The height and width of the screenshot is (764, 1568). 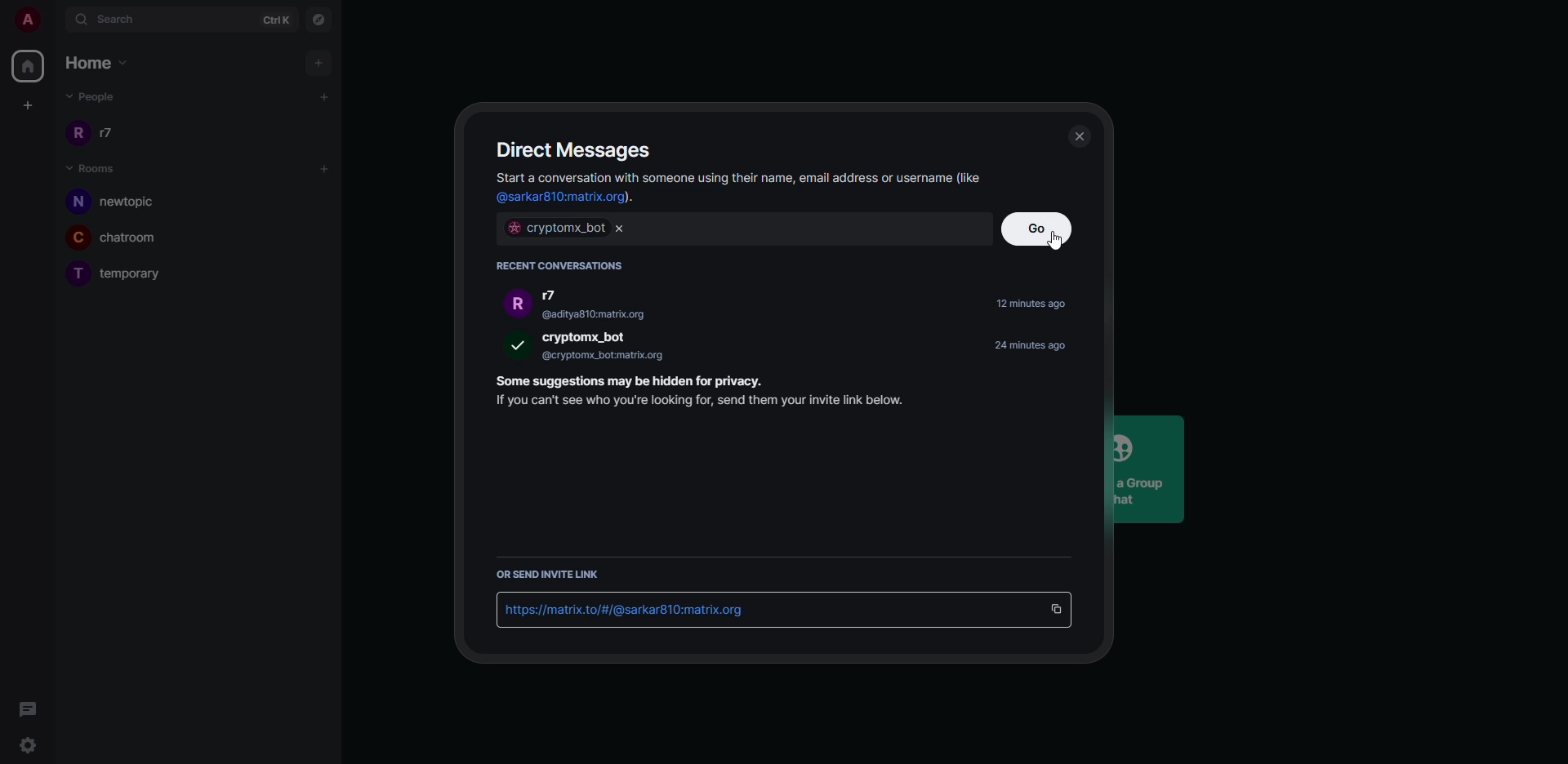 I want to click on settings, so click(x=33, y=744).